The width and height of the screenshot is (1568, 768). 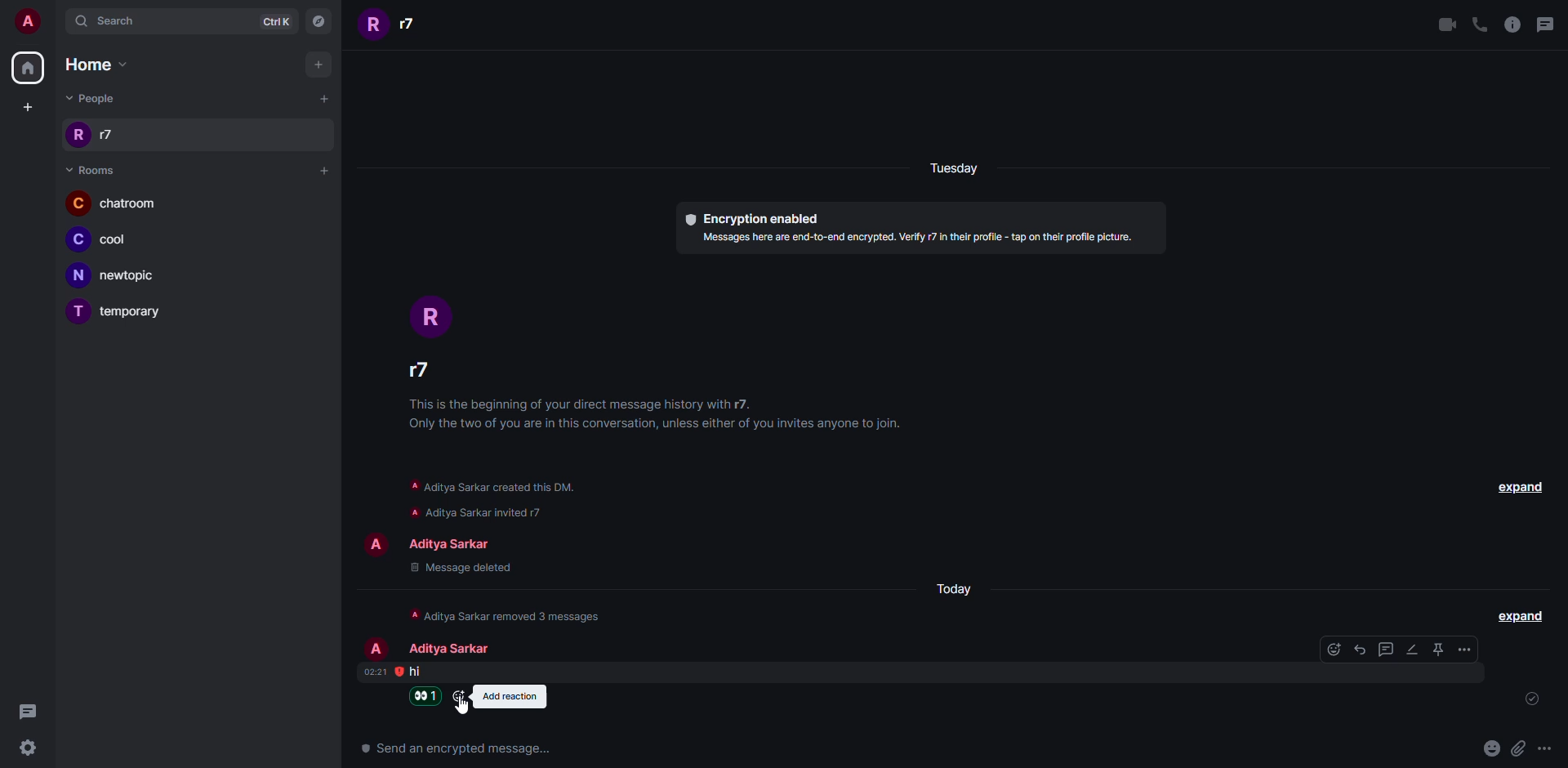 I want to click on sent, so click(x=1526, y=699).